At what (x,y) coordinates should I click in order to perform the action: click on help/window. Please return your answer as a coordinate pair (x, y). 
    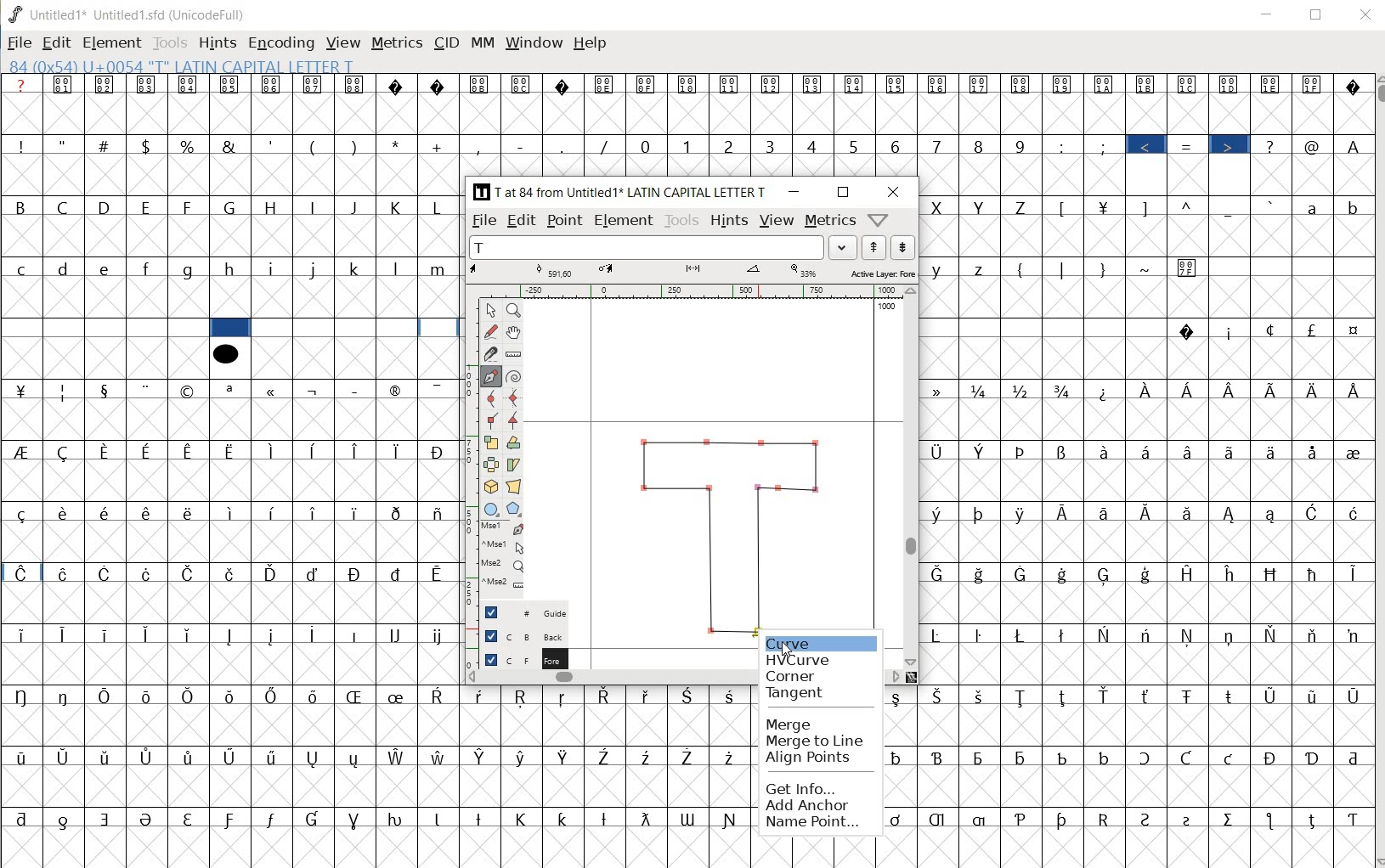
    Looking at the image, I should click on (878, 220).